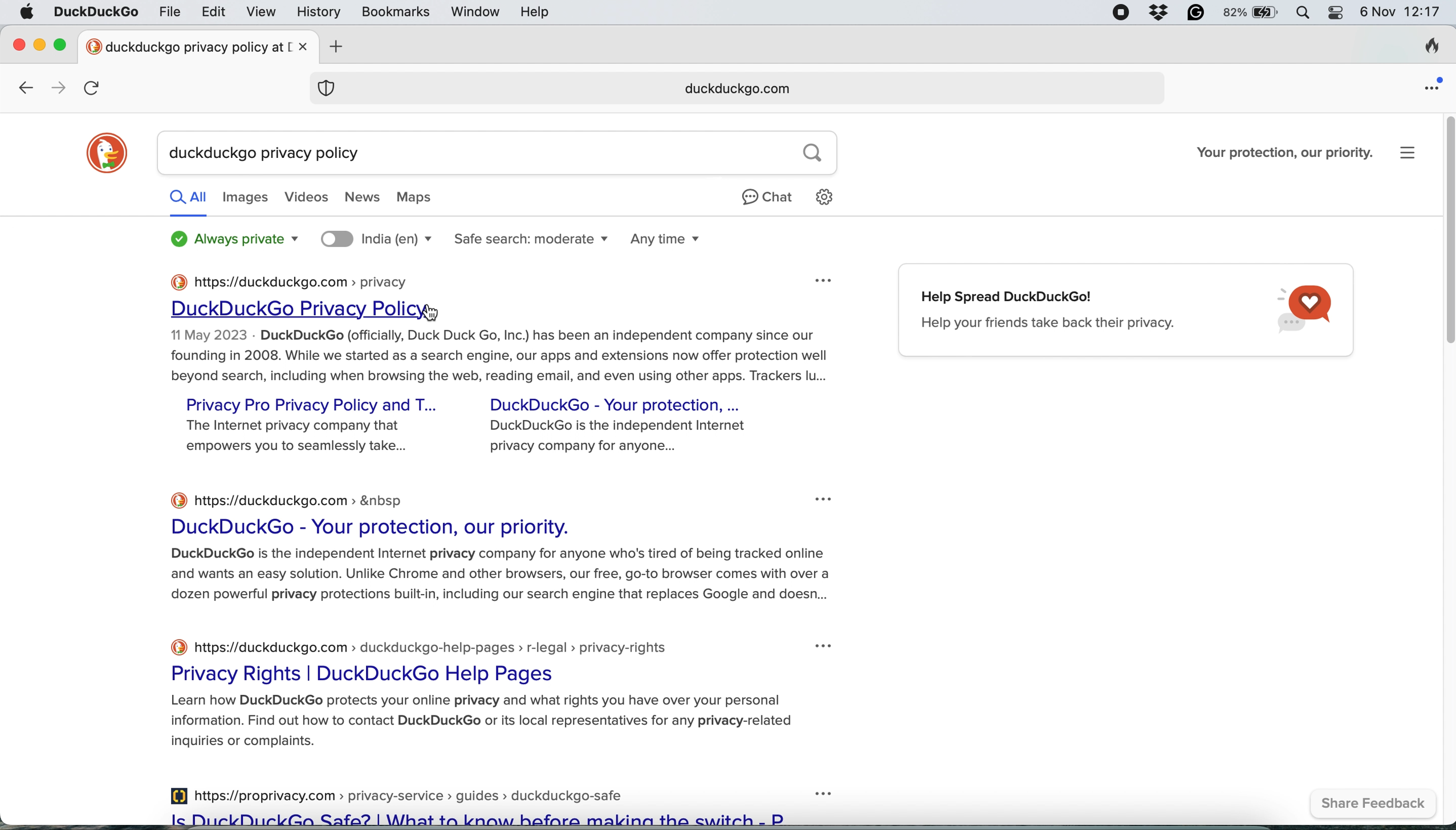 This screenshot has height=830, width=1456. What do you see at coordinates (376, 240) in the screenshot?
I see `search location` at bounding box center [376, 240].